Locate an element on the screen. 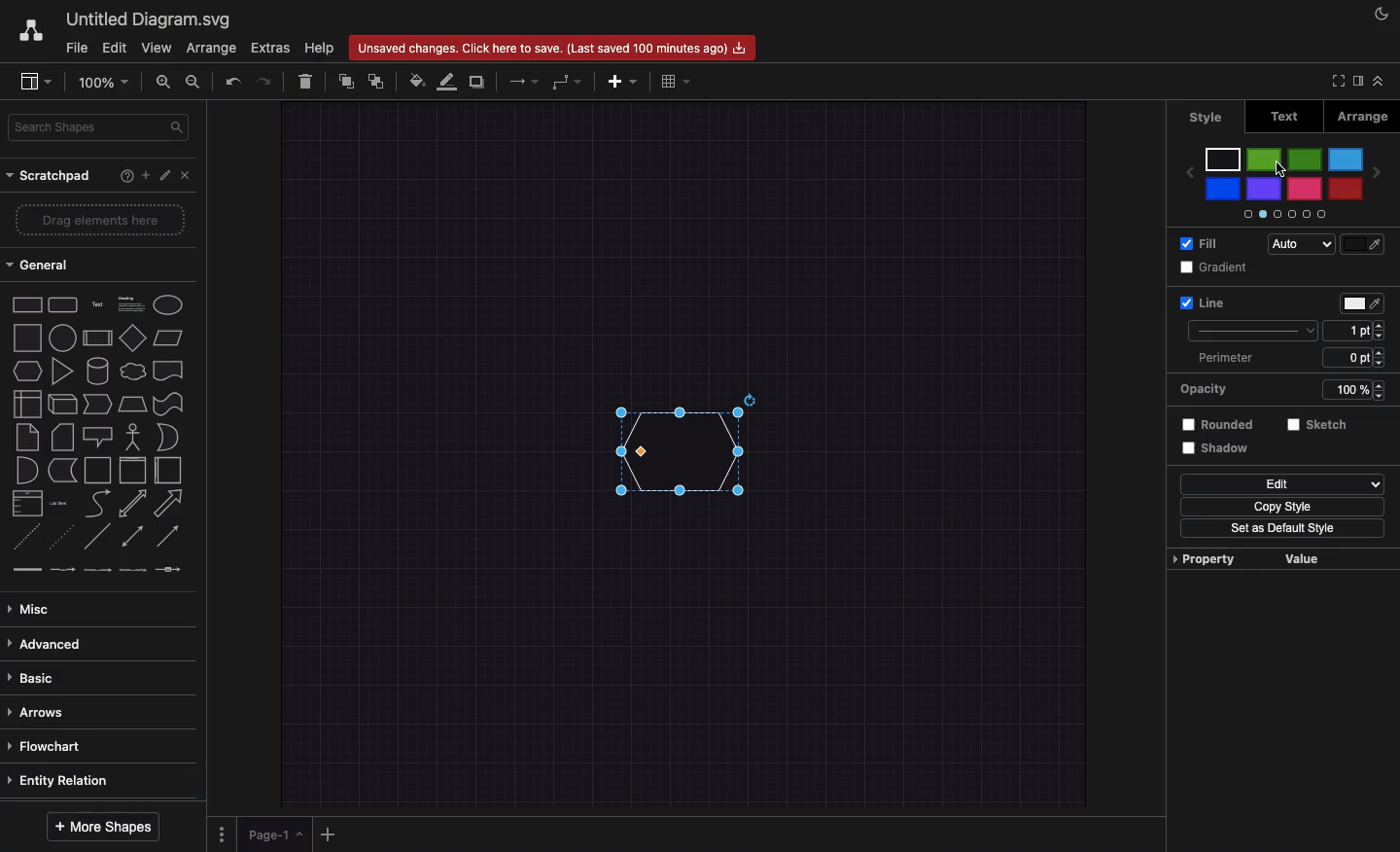 The height and width of the screenshot is (852, 1400). Sidebar is located at coordinates (1356, 81).